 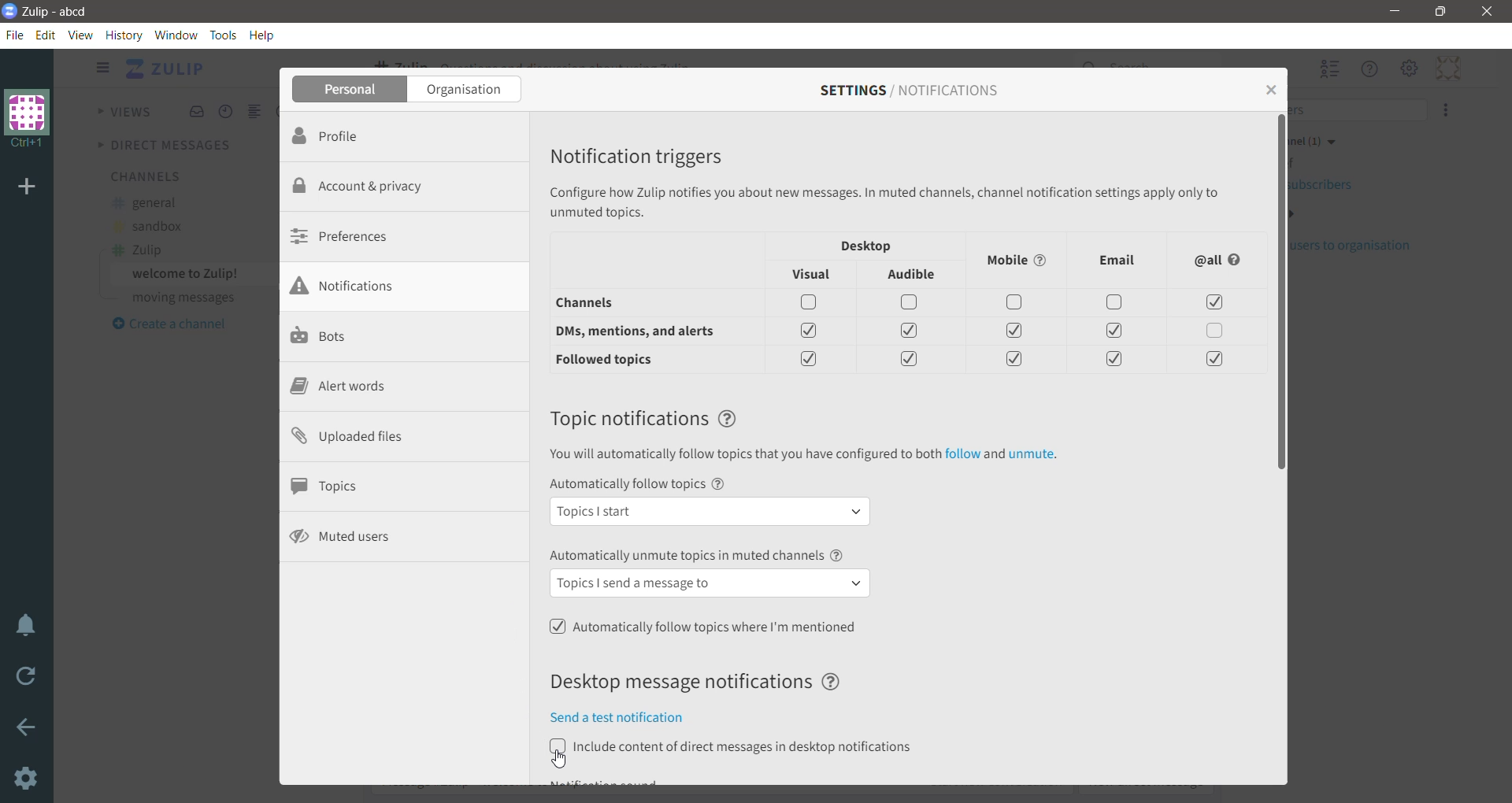 What do you see at coordinates (406, 287) in the screenshot?
I see `Notifications Tab selected` at bounding box center [406, 287].